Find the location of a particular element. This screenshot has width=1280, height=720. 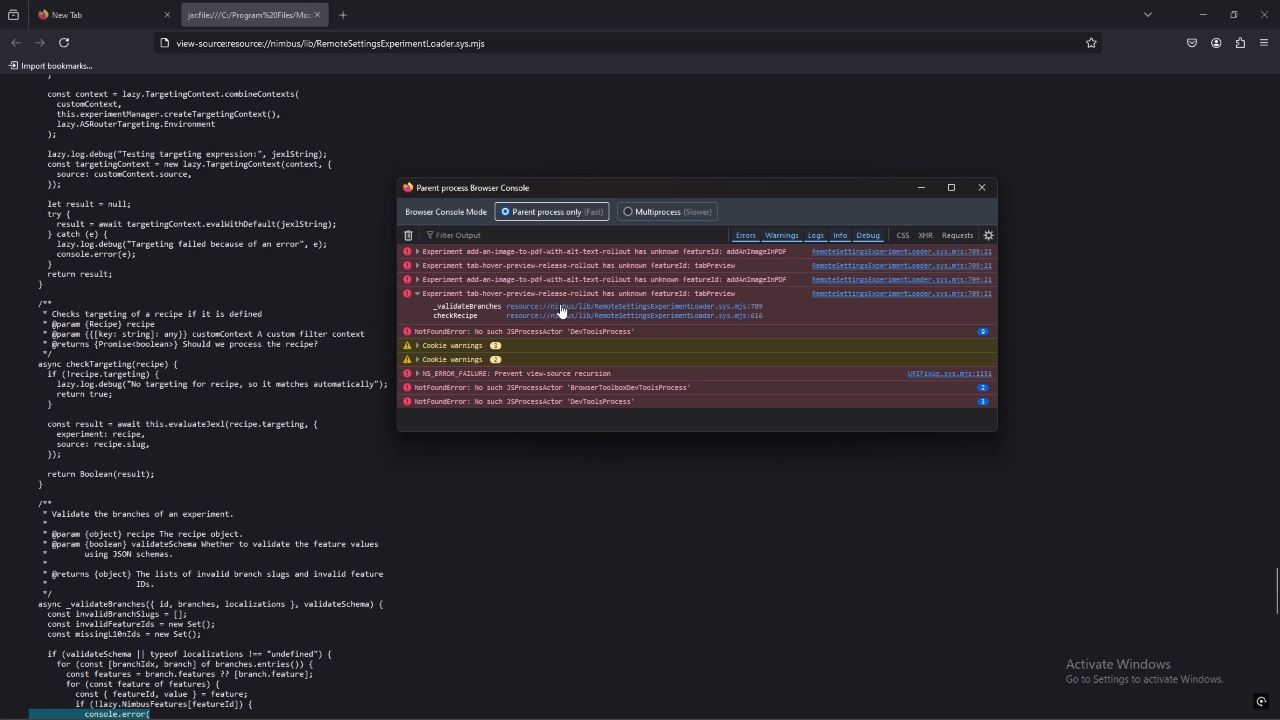

tab is located at coordinates (246, 14).